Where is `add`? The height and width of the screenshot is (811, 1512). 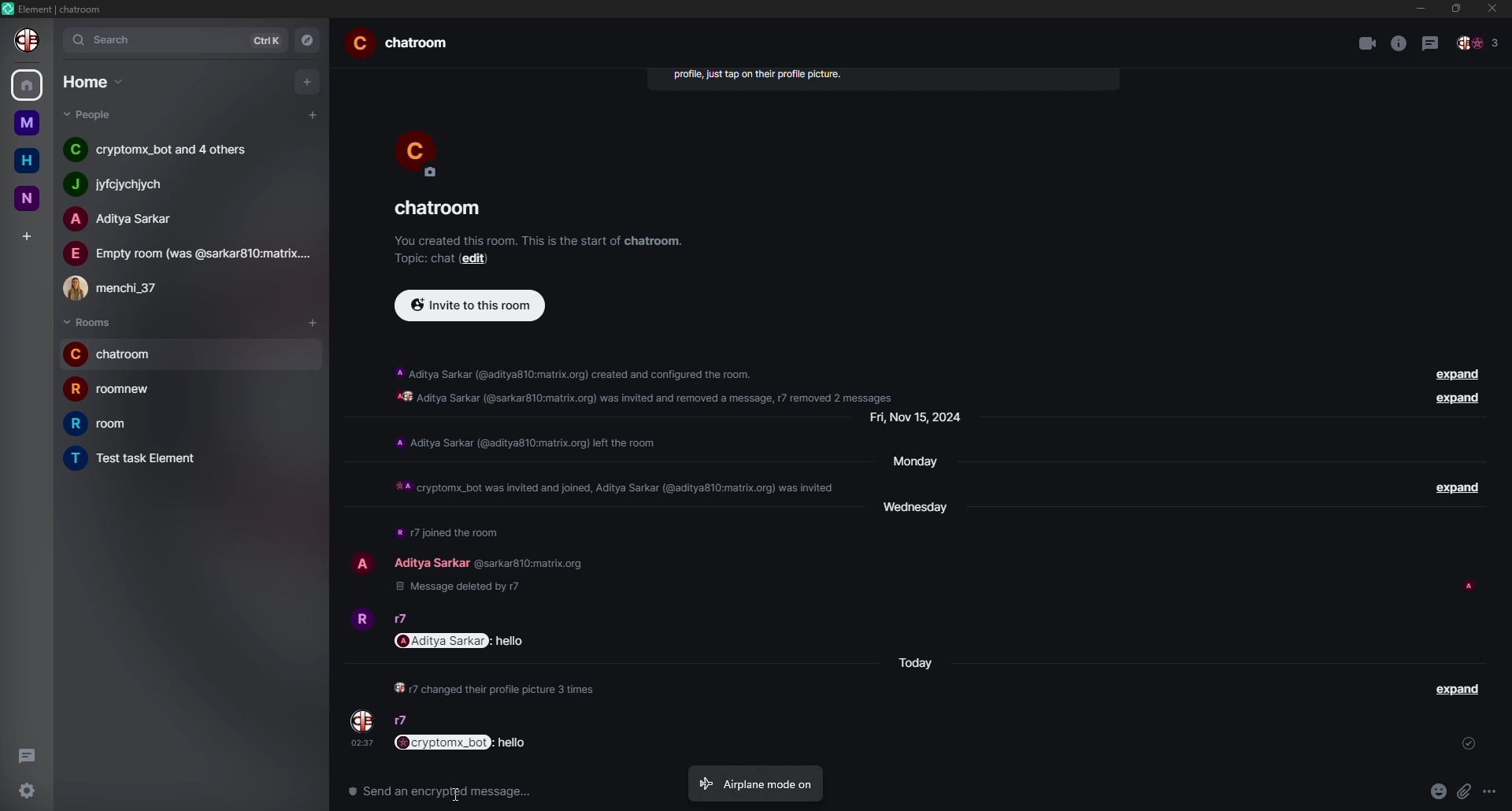 add is located at coordinates (312, 115).